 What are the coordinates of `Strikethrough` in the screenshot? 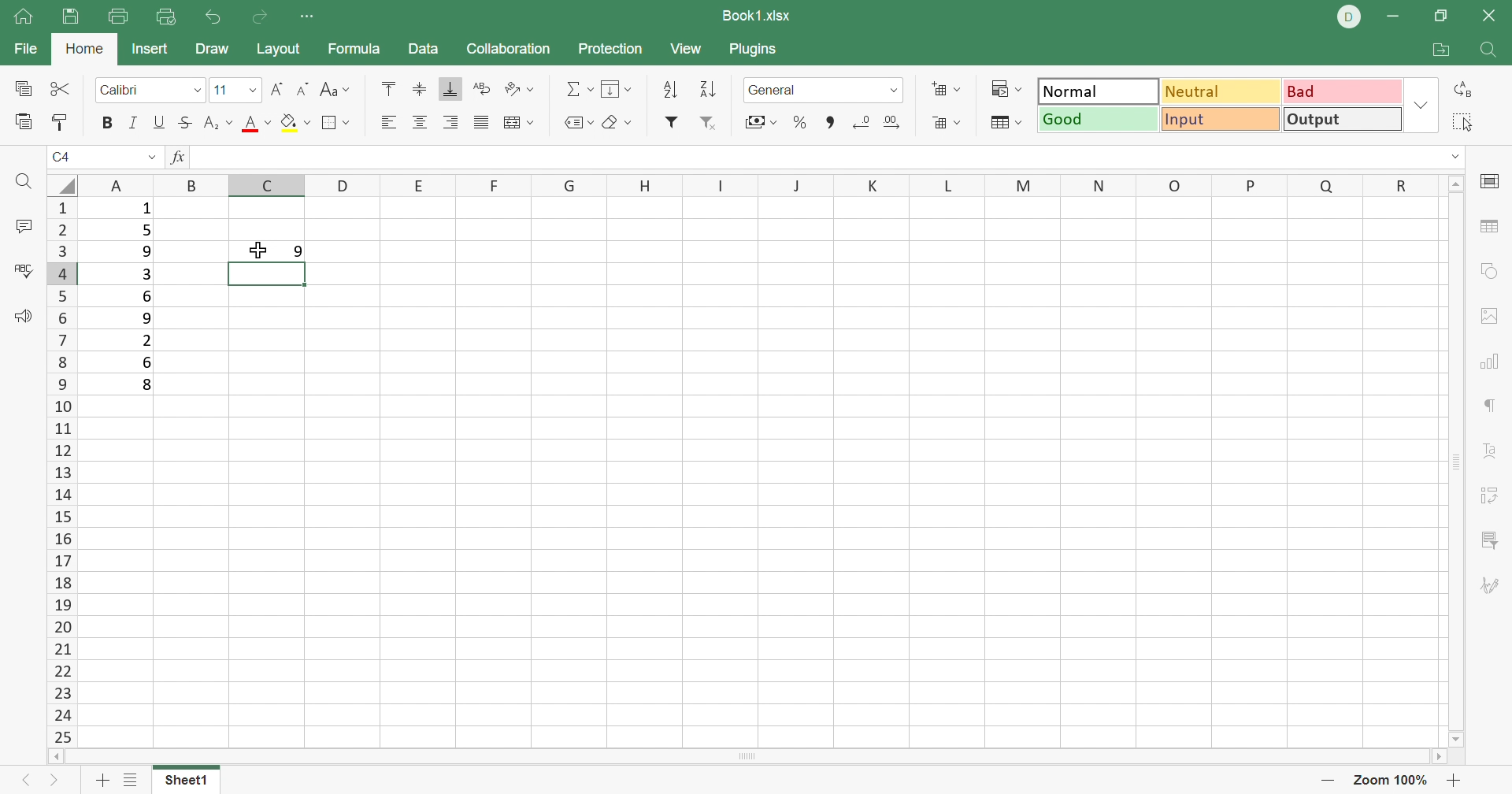 It's located at (186, 122).